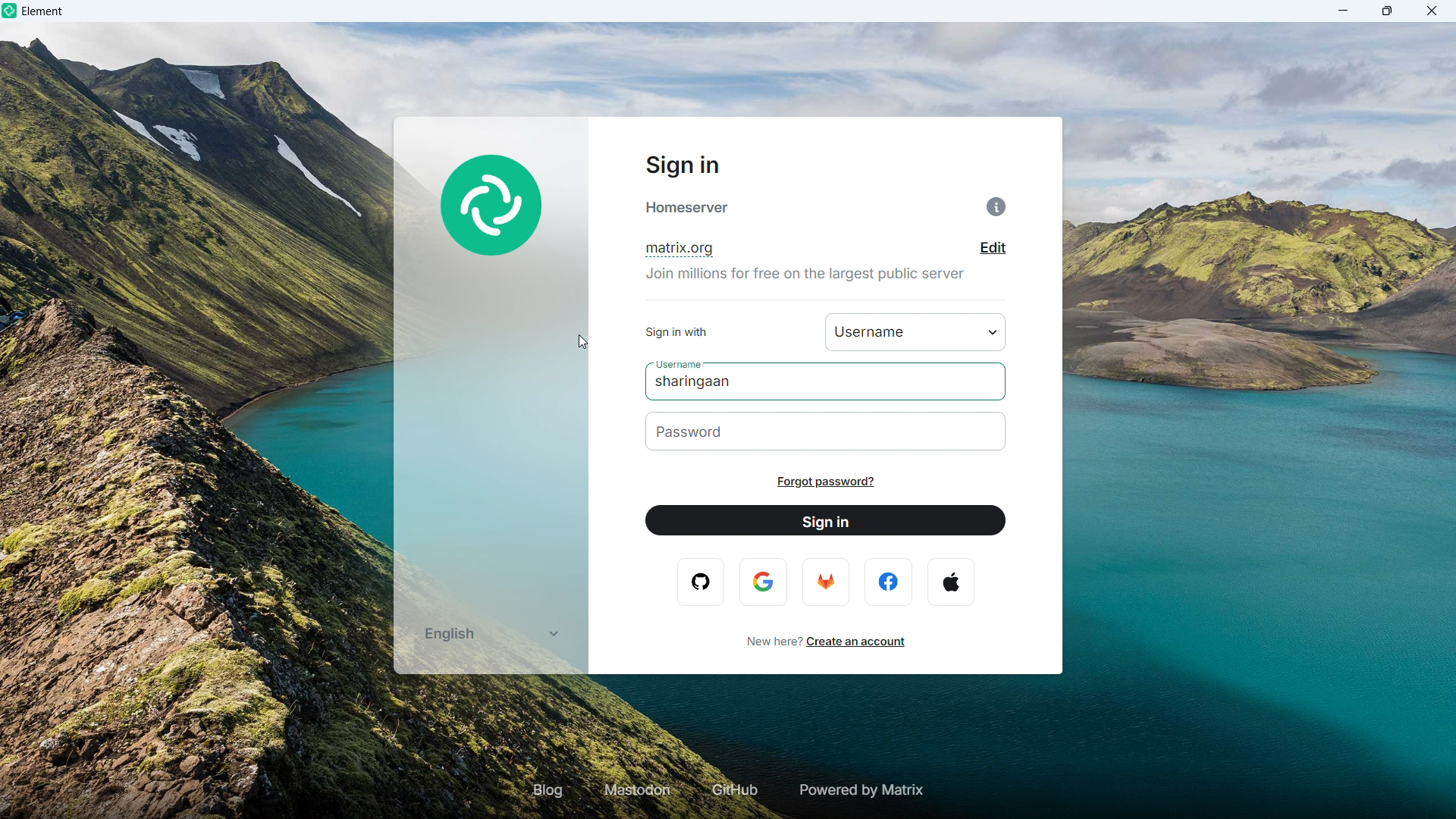 The image size is (1456, 819). Describe the element at coordinates (43, 13) in the screenshot. I see `element` at that location.